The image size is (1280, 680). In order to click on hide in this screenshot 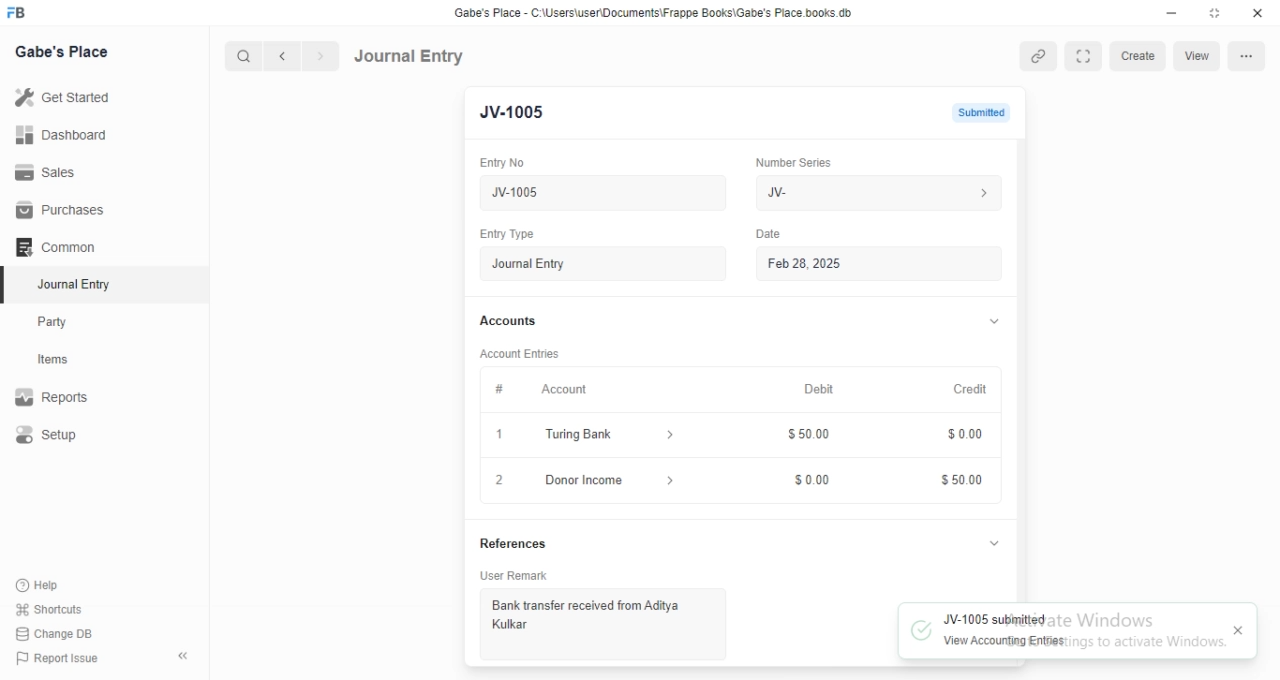, I will do `click(179, 657)`.